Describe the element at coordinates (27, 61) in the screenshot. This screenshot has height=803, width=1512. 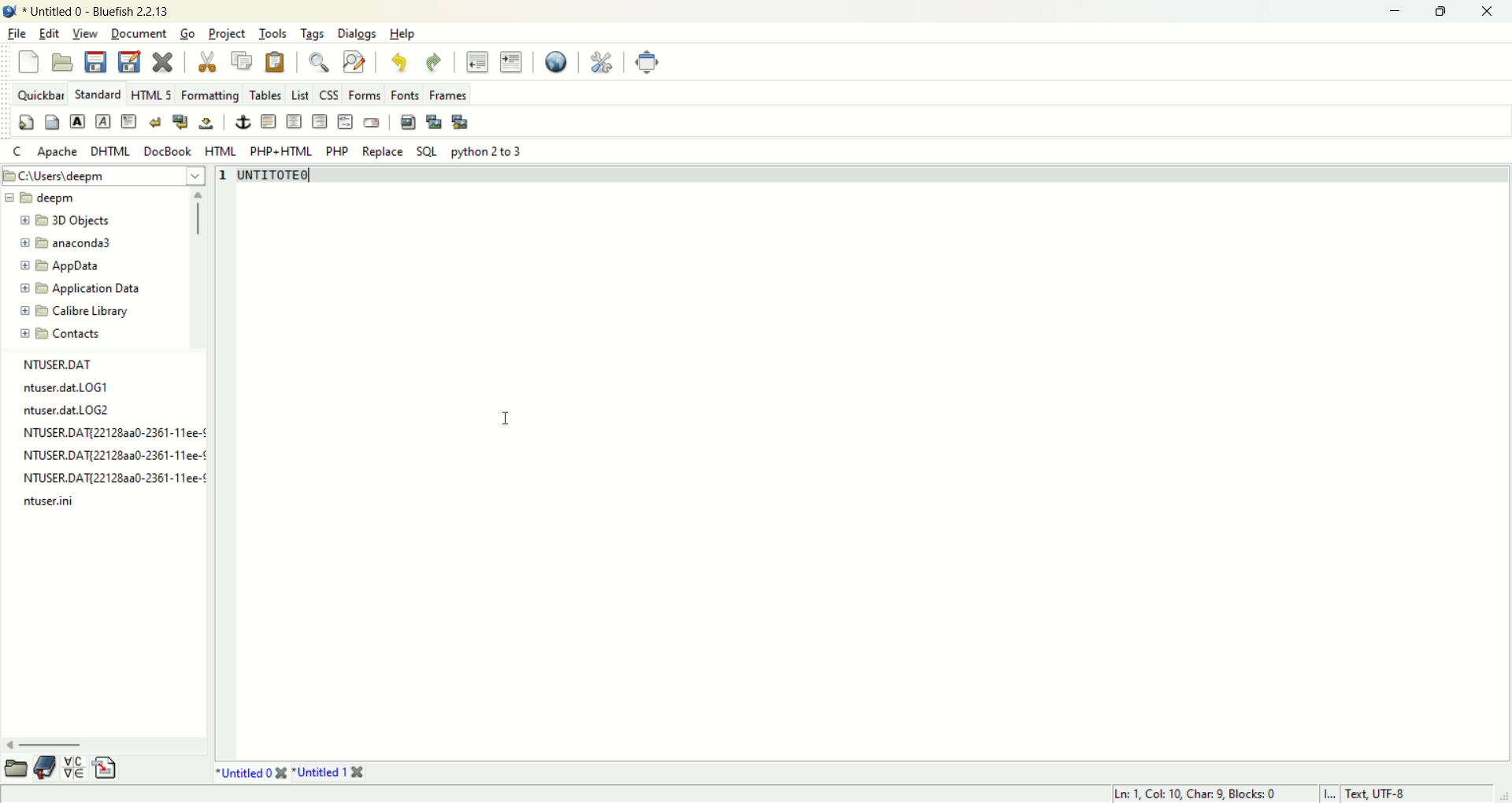
I see `new` at that location.